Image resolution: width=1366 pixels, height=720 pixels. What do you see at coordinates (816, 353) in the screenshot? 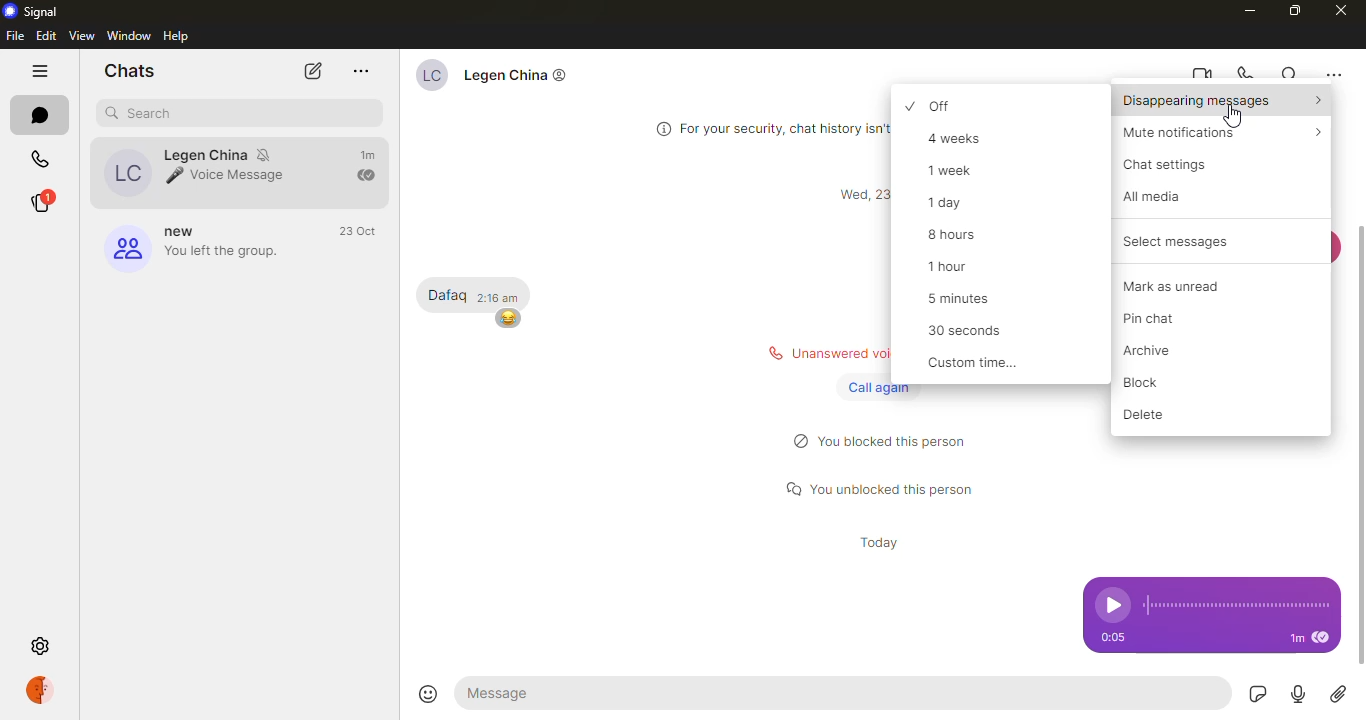
I see `status message` at bounding box center [816, 353].